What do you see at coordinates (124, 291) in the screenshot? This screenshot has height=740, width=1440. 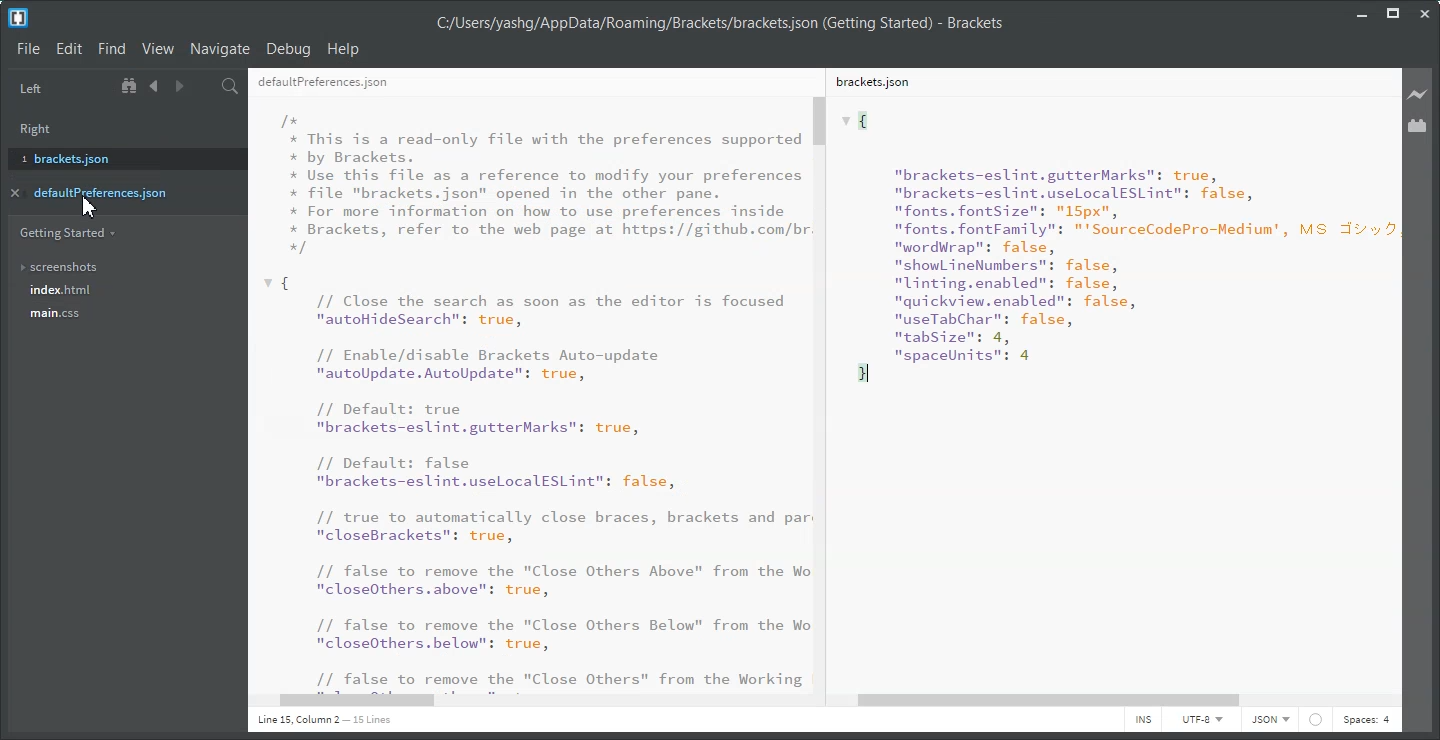 I see `index.html` at bounding box center [124, 291].